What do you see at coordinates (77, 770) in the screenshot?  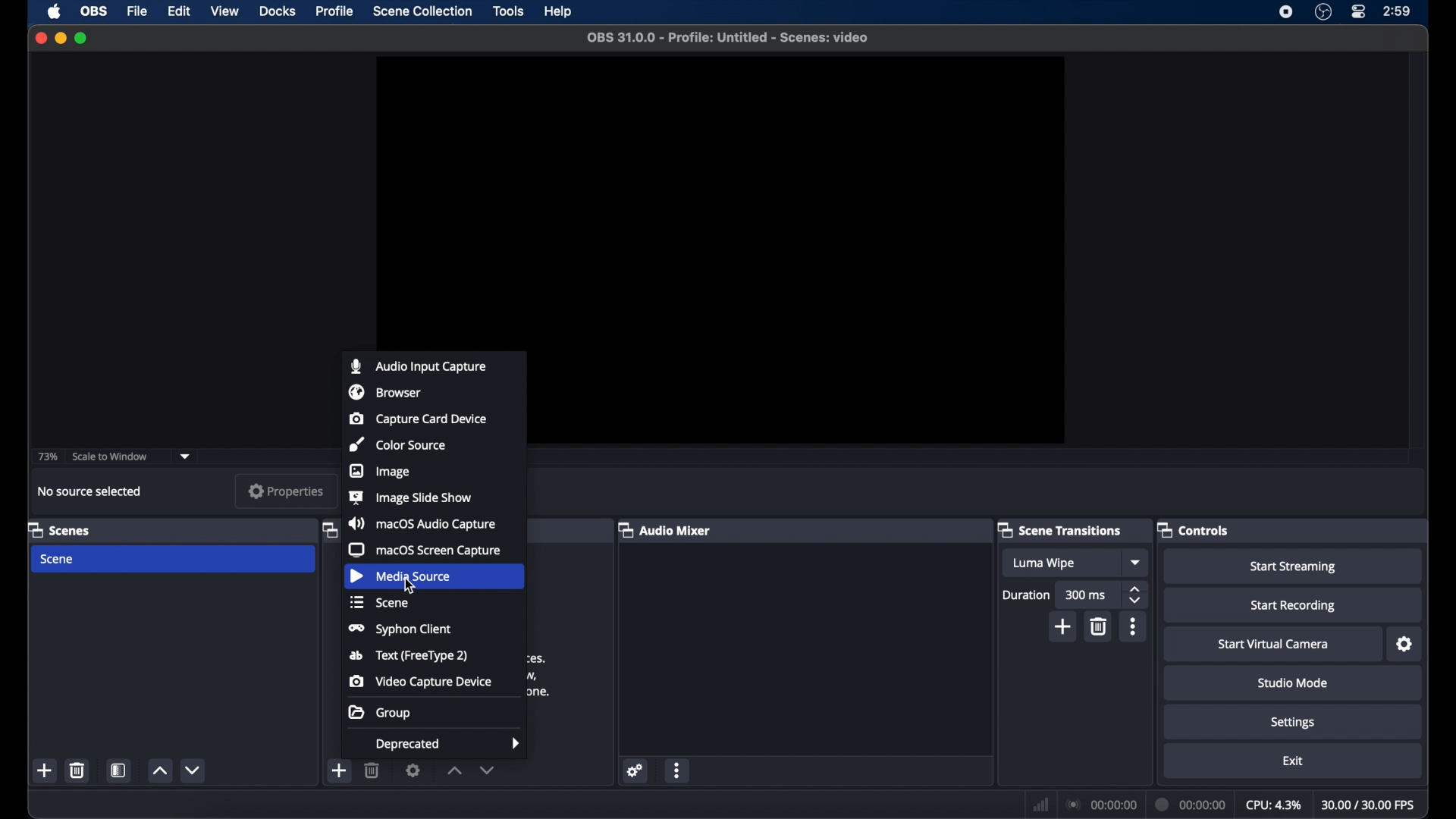 I see `delete` at bounding box center [77, 770].